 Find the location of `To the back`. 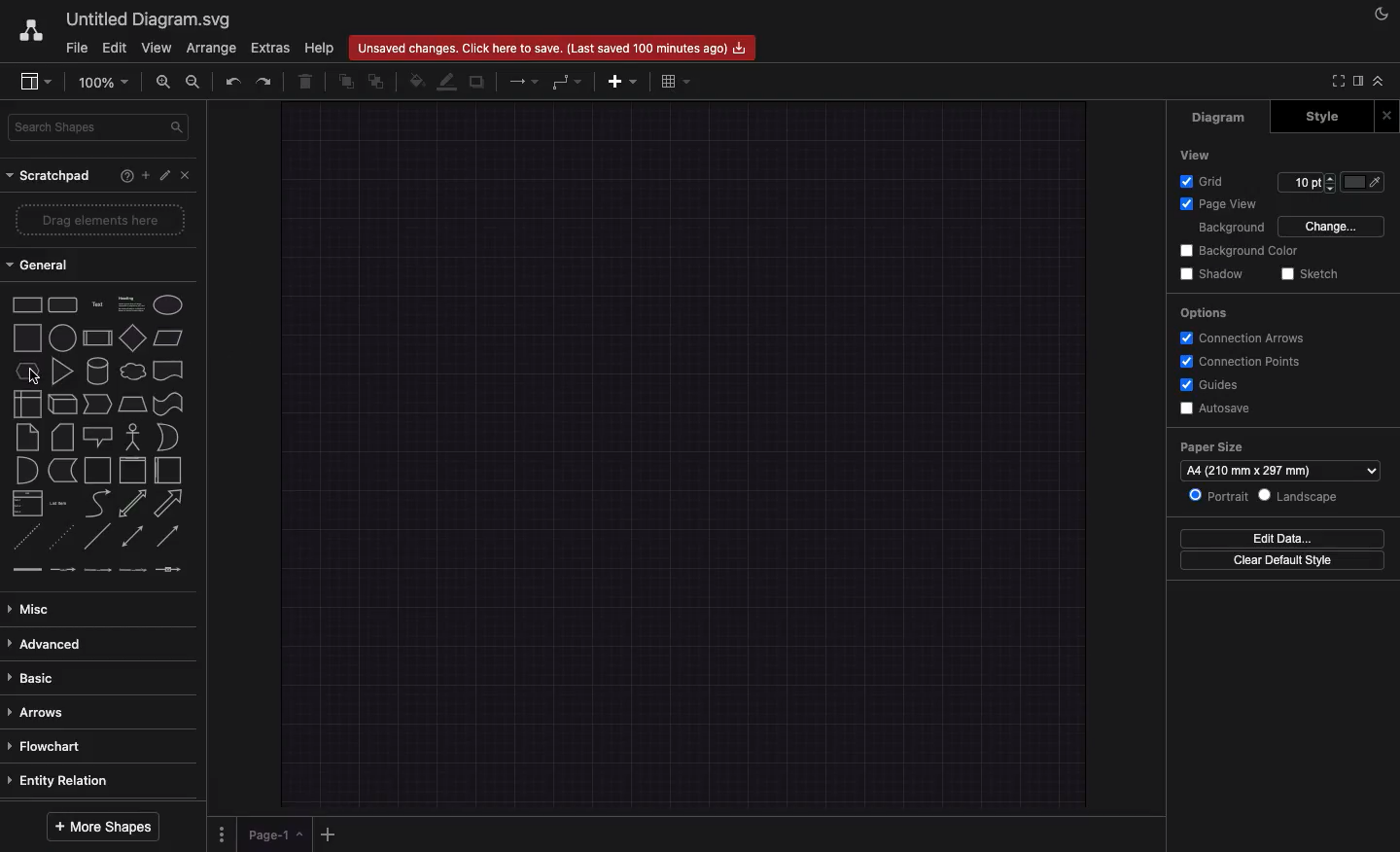

To the back is located at coordinates (376, 81).